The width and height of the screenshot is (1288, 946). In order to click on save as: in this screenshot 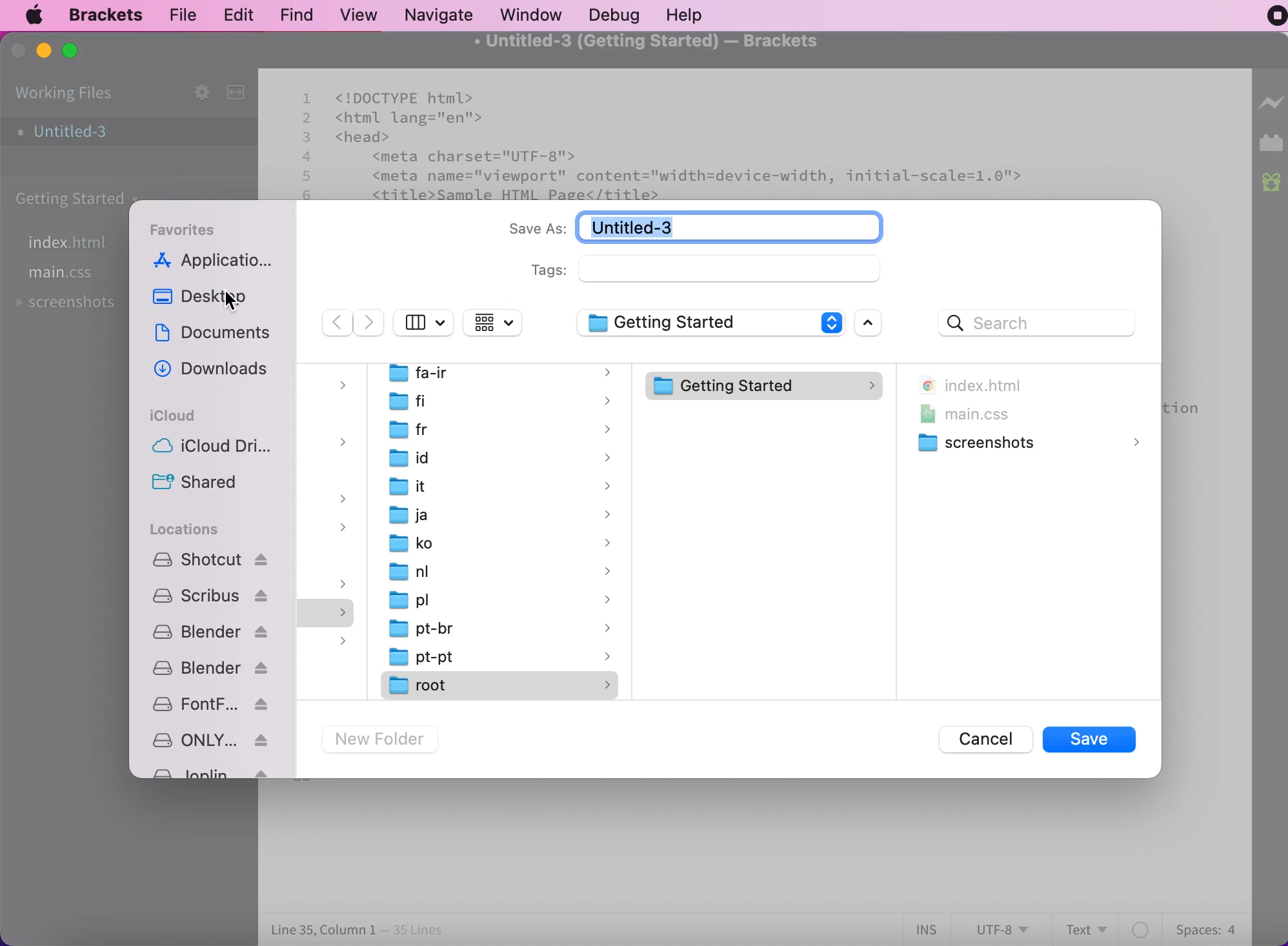, I will do `click(532, 233)`.